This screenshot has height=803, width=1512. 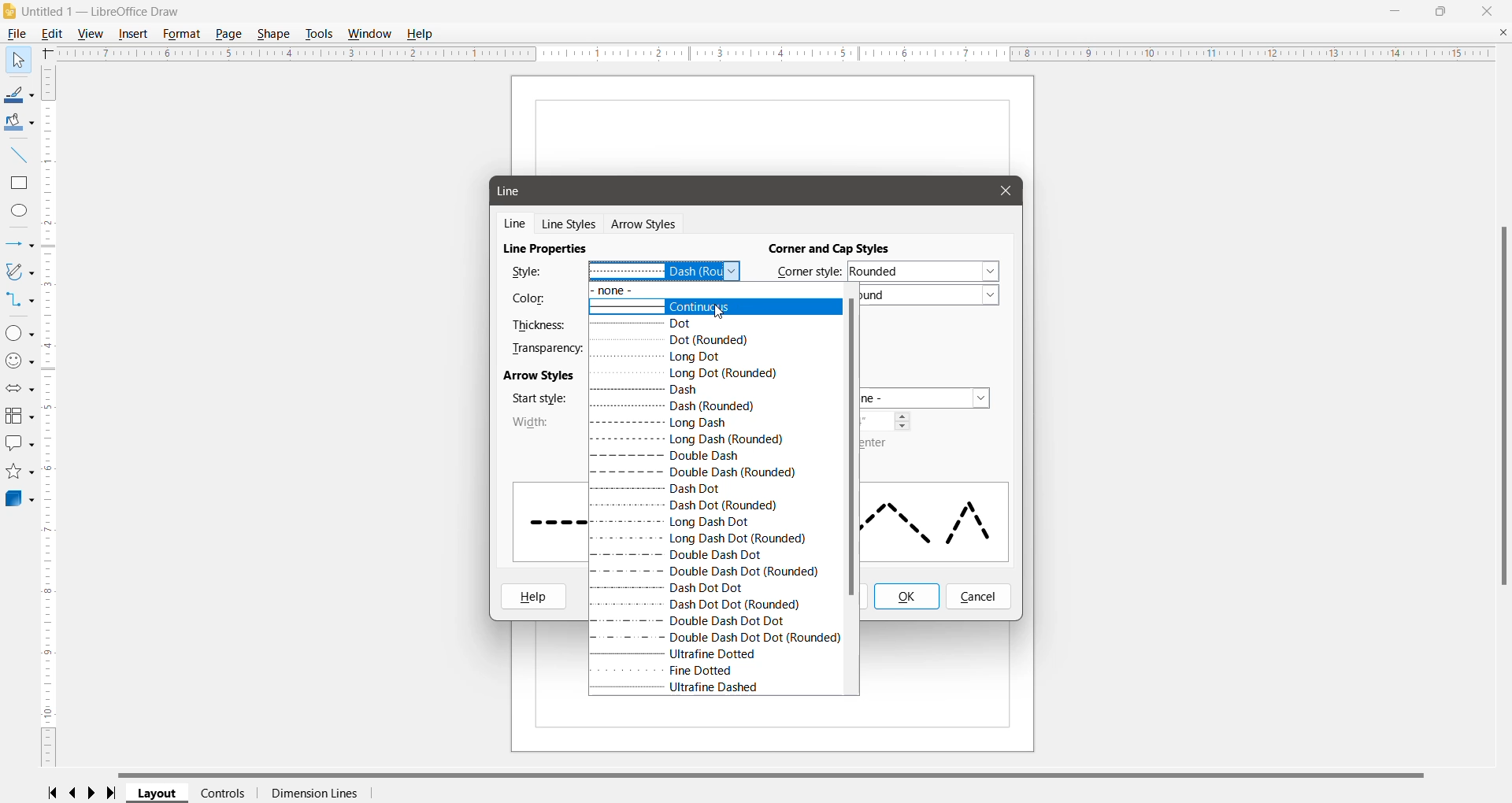 What do you see at coordinates (19, 417) in the screenshot?
I see `Flowchart` at bounding box center [19, 417].